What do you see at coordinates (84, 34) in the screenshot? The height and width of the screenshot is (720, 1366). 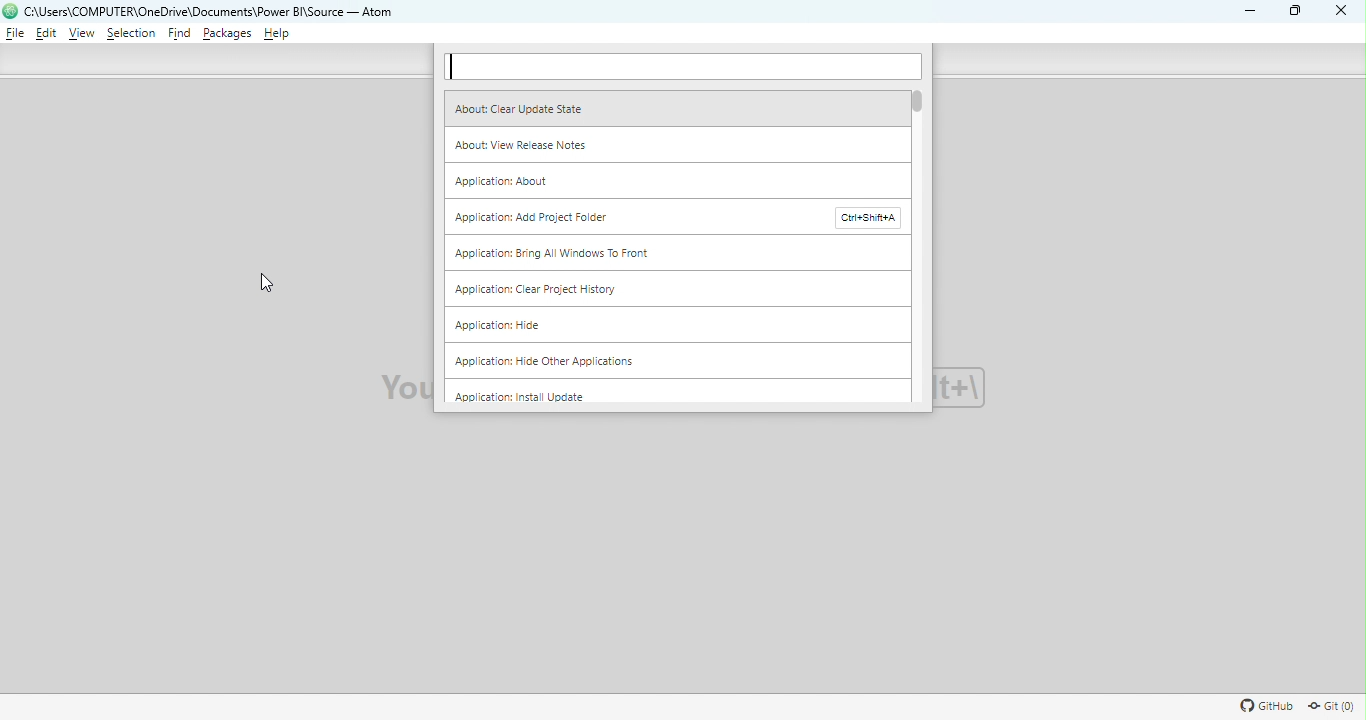 I see `View` at bounding box center [84, 34].